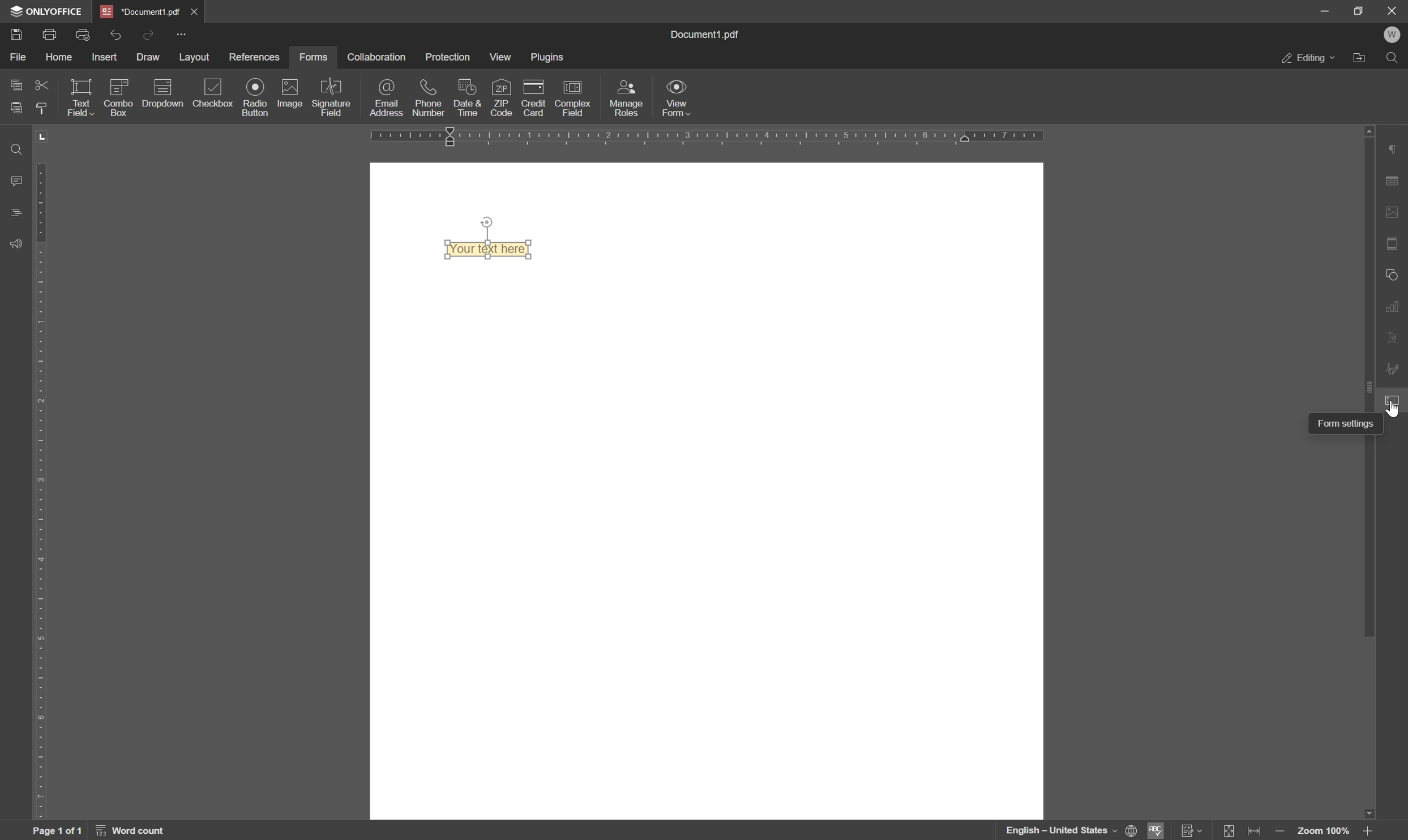 The image size is (1408, 840). I want to click on zoom out, so click(1371, 832).